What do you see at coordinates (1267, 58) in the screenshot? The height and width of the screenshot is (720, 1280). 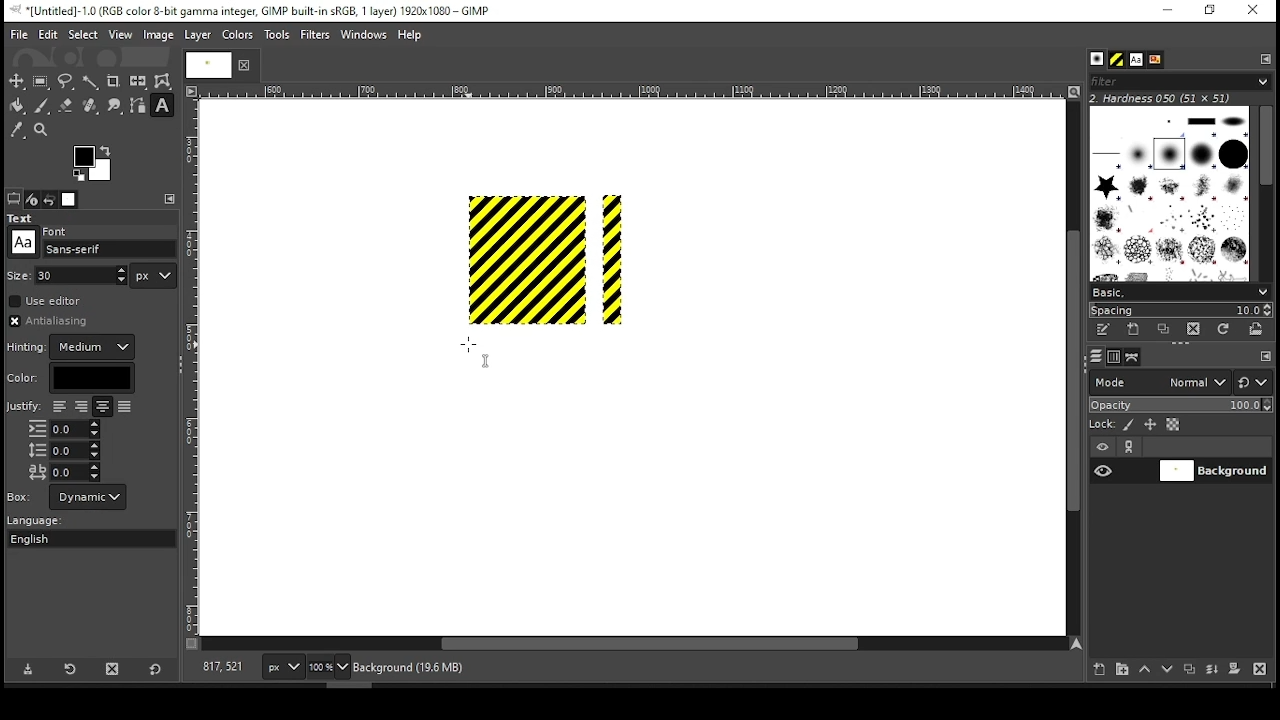 I see `configure this tab` at bounding box center [1267, 58].